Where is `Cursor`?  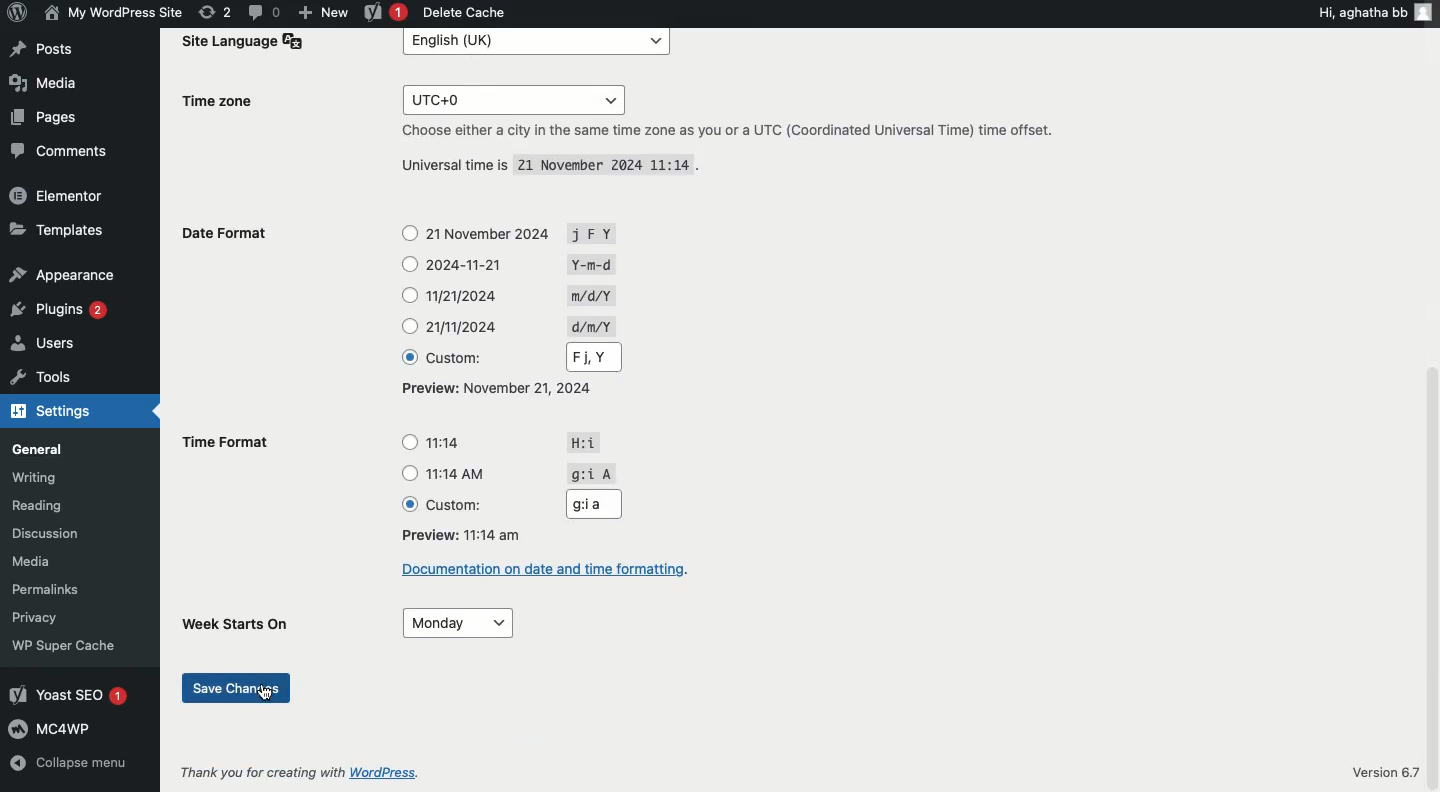
Cursor is located at coordinates (268, 696).